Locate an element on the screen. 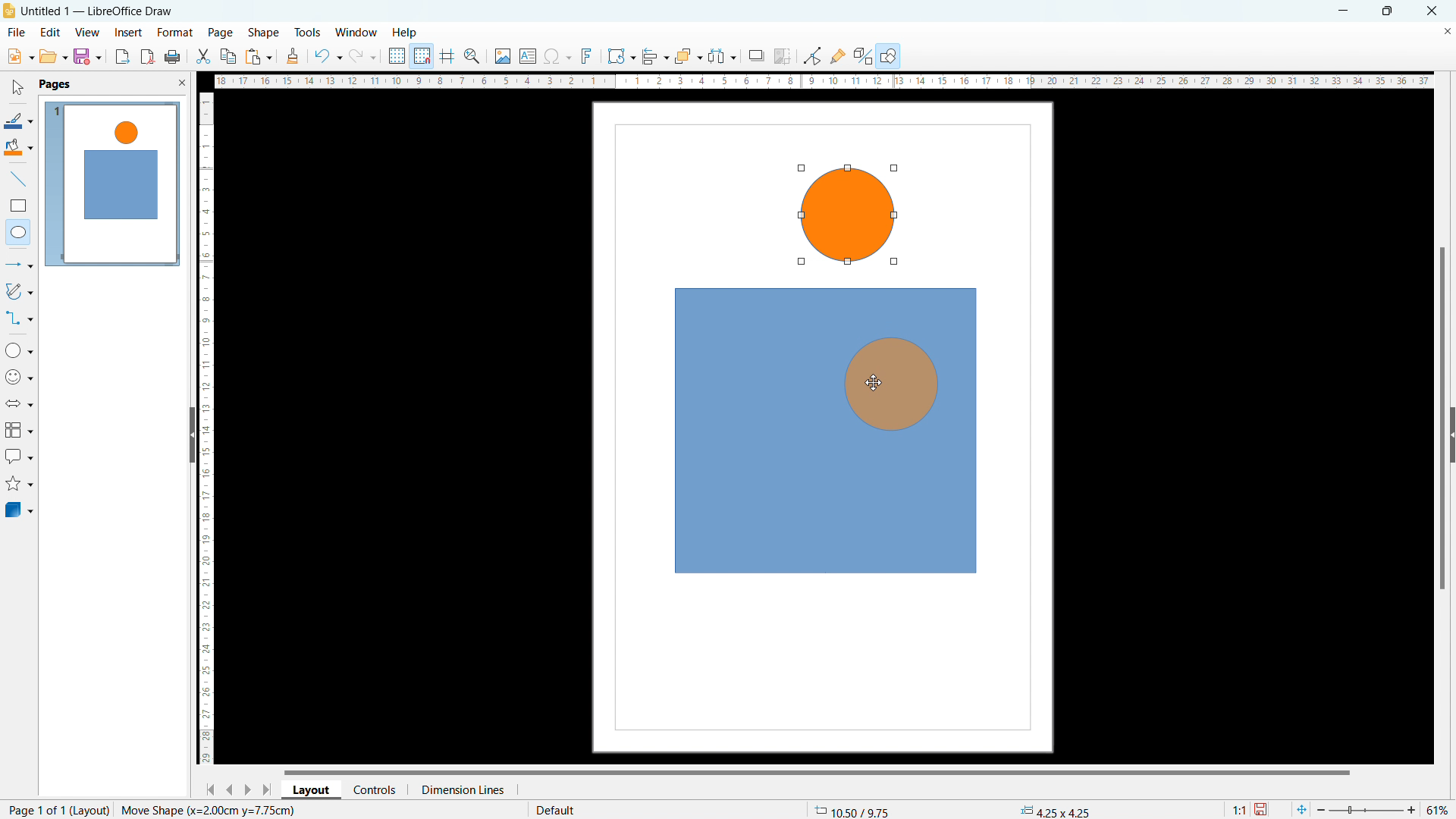  print is located at coordinates (171, 58).